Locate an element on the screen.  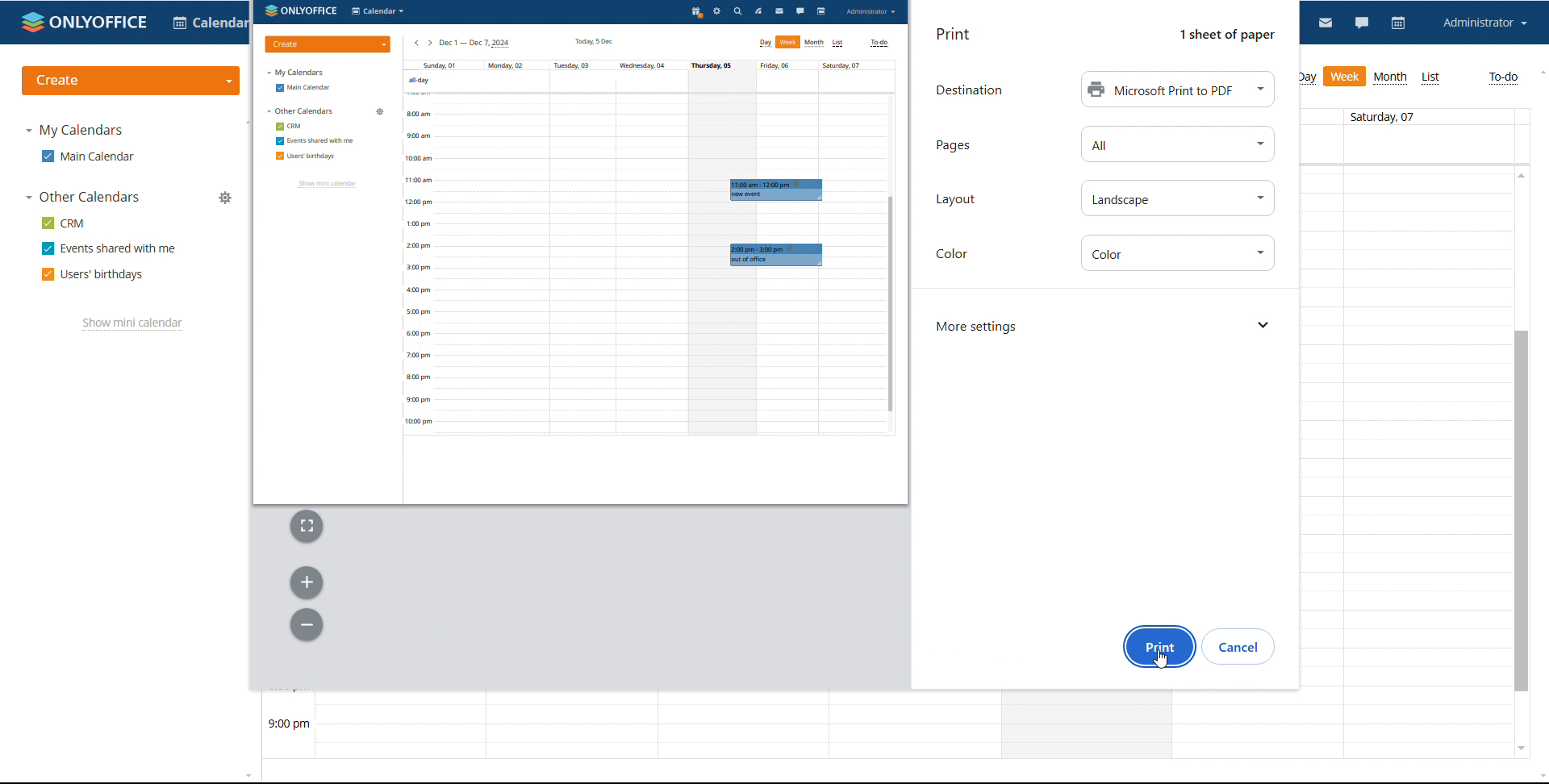
 is located at coordinates (952, 254).